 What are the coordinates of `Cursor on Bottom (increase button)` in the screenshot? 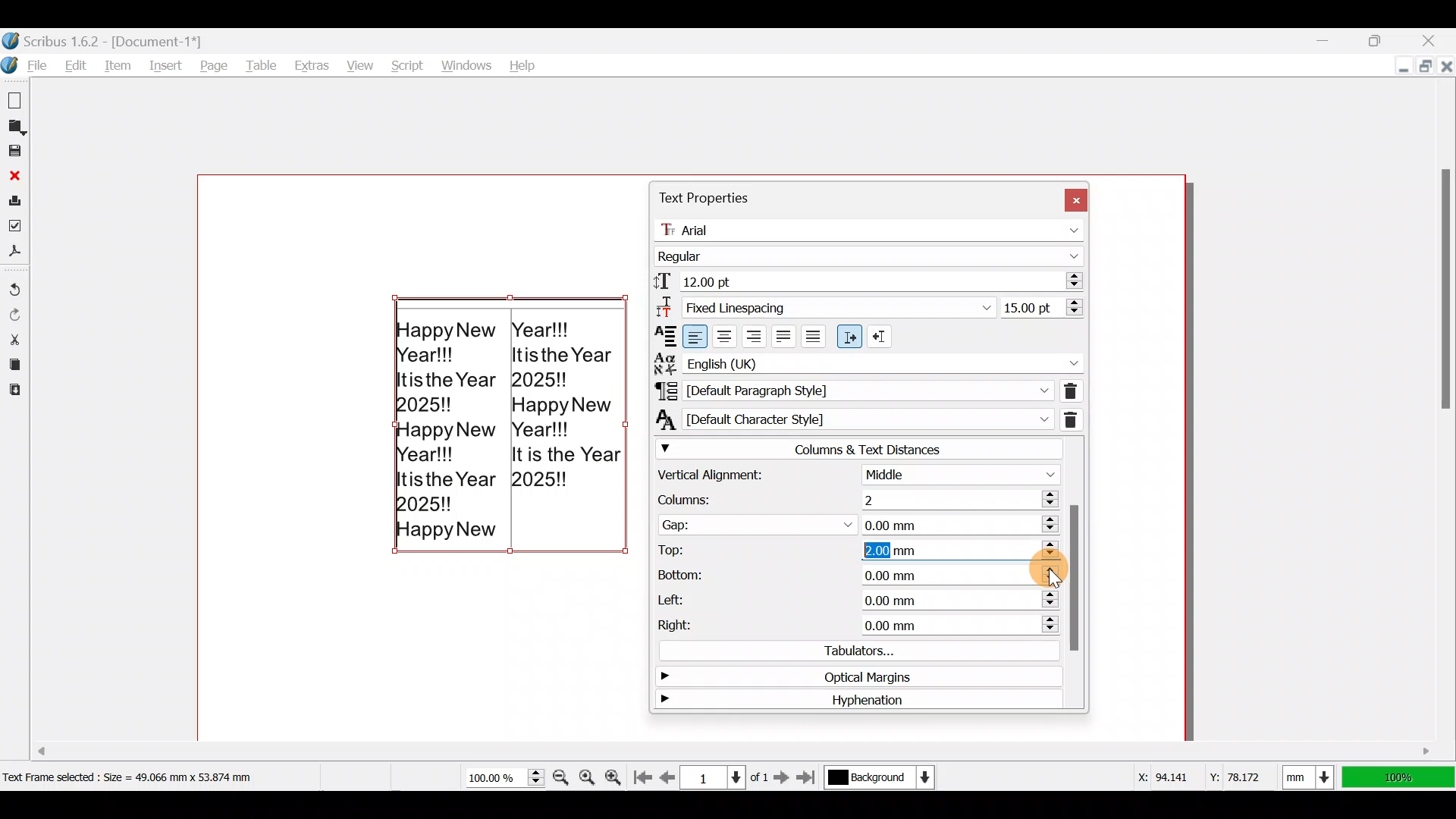 It's located at (1032, 572).